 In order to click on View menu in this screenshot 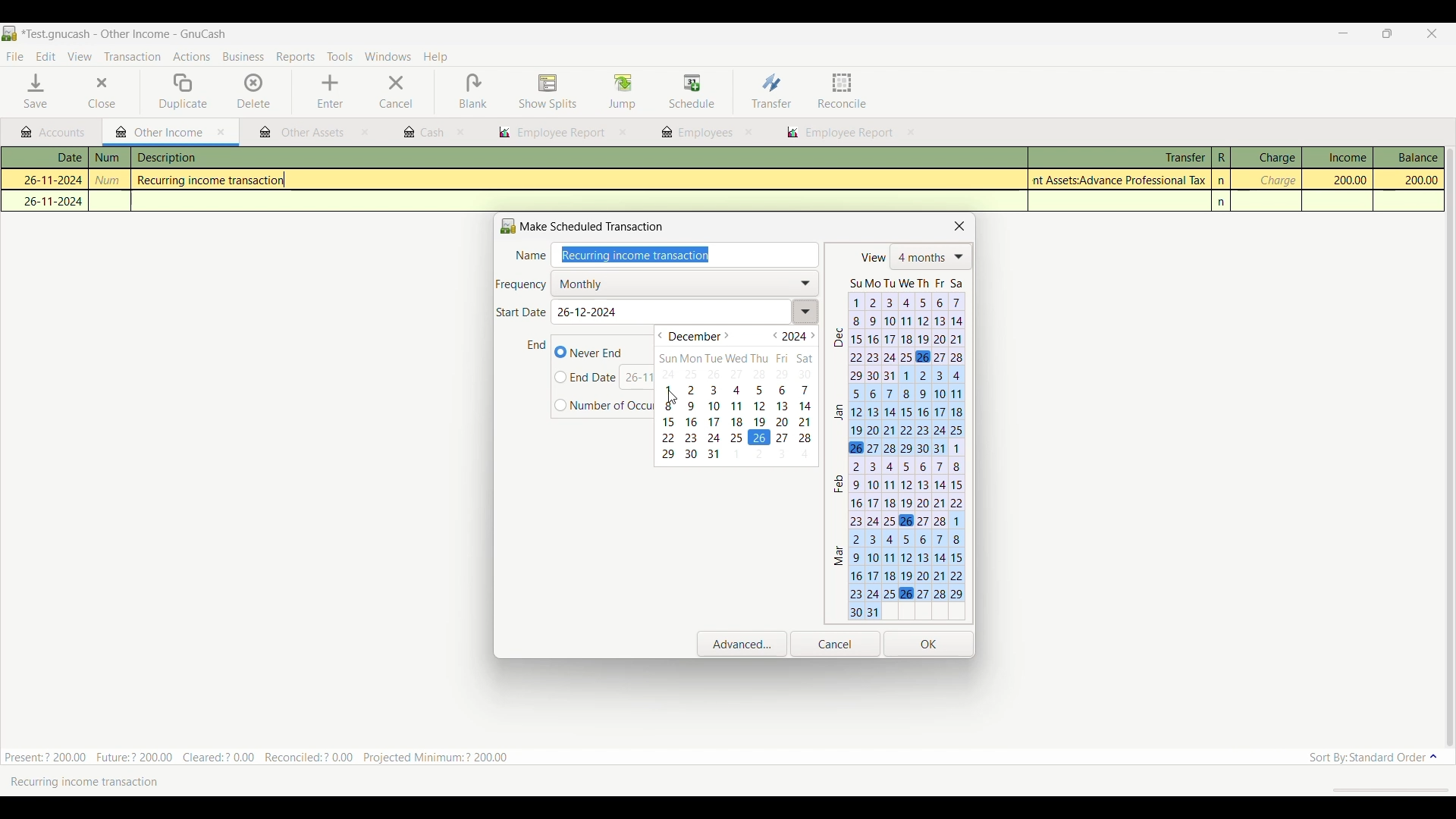, I will do `click(79, 57)`.